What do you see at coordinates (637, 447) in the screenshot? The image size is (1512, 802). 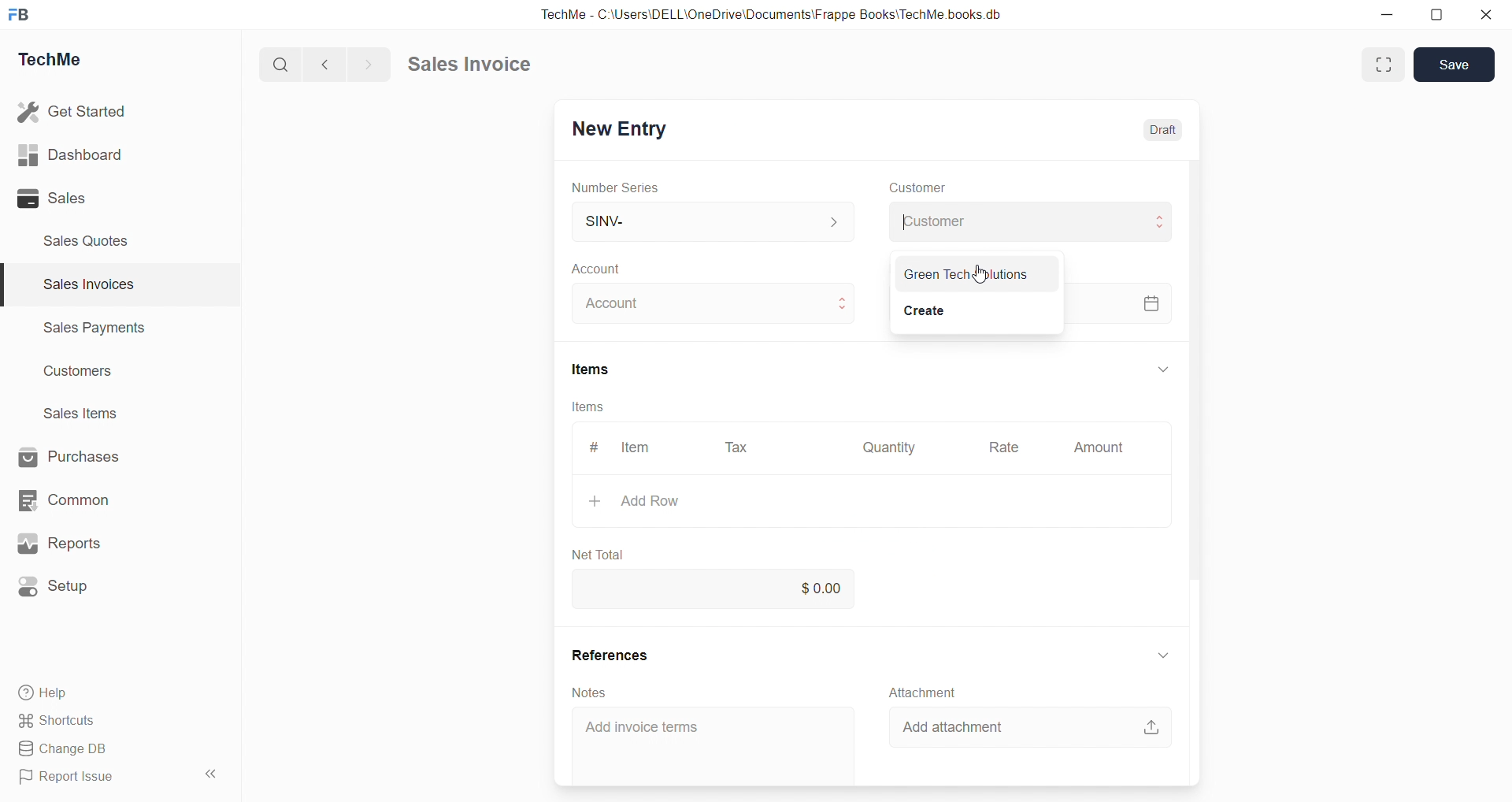 I see `Item` at bounding box center [637, 447].